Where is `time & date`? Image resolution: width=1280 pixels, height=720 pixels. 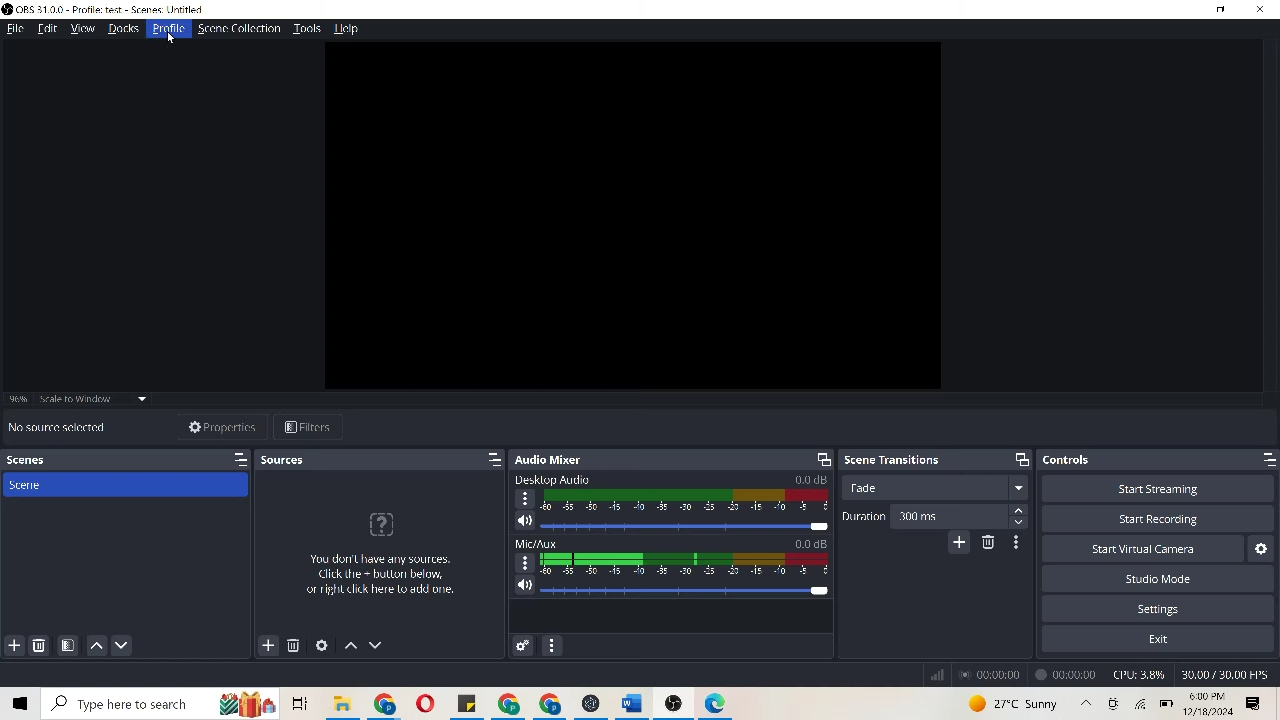 time & date is located at coordinates (1211, 704).